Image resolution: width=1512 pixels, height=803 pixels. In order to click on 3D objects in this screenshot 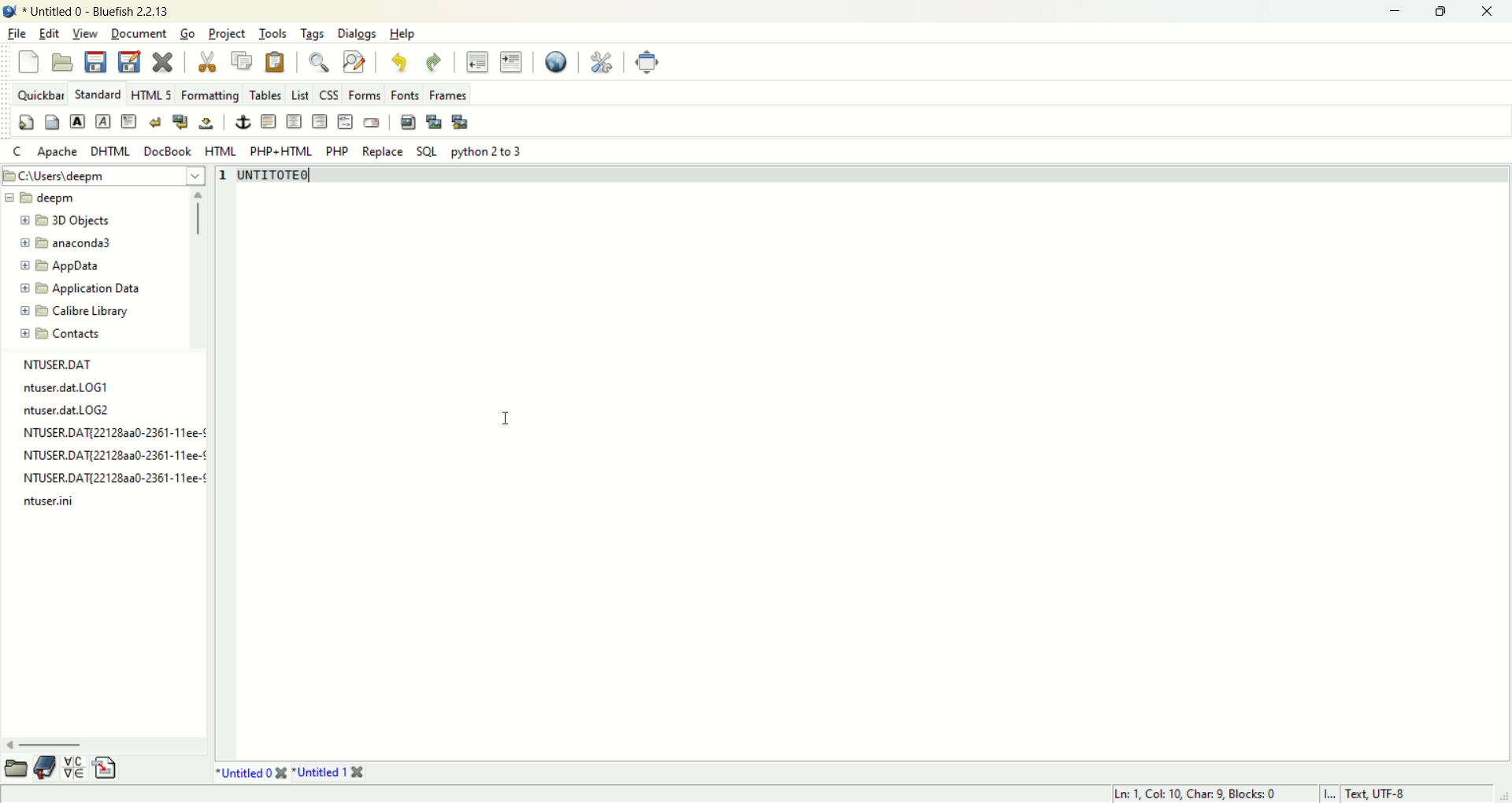, I will do `click(68, 221)`.